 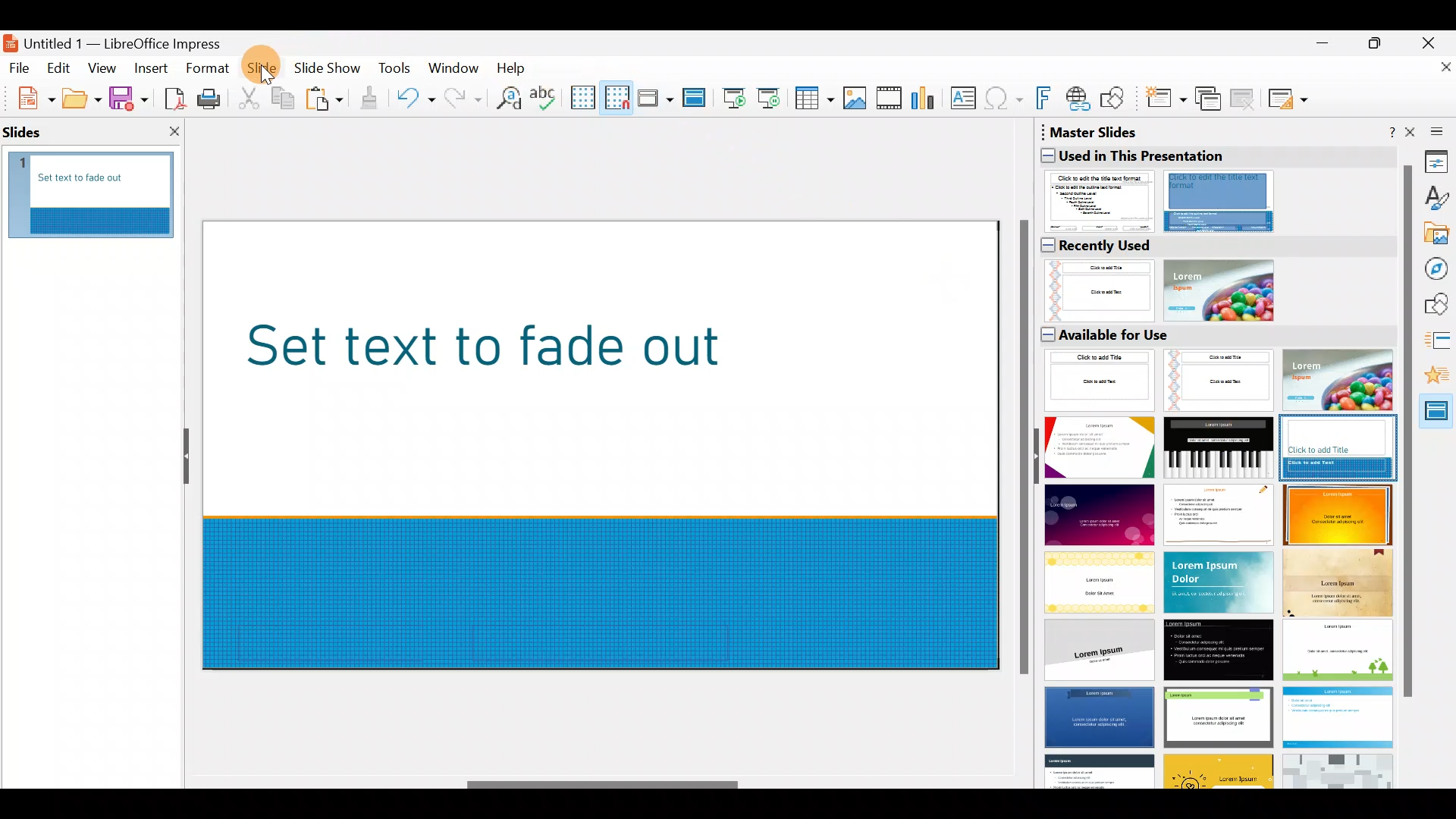 I want to click on Tools, so click(x=396, y=71).